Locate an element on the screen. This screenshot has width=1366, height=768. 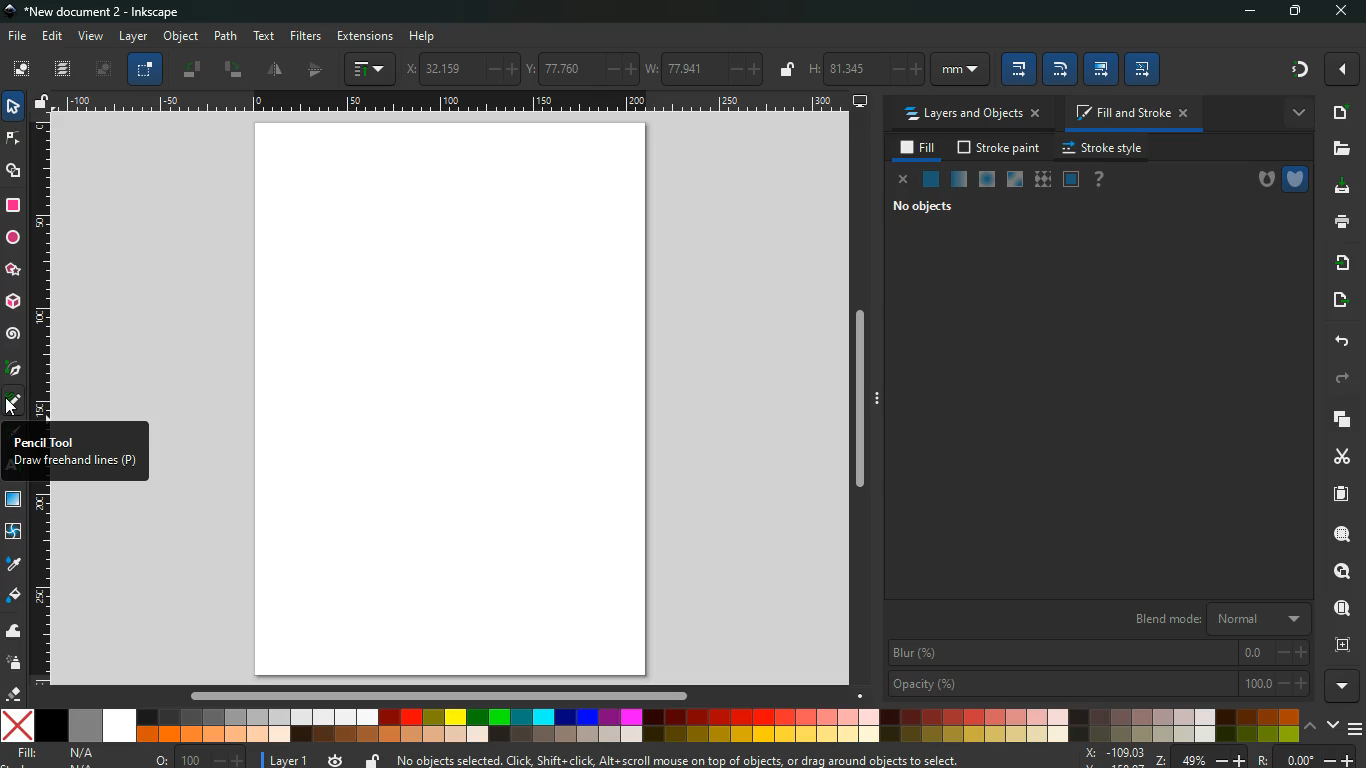
message is located at coordinates (680, 759).